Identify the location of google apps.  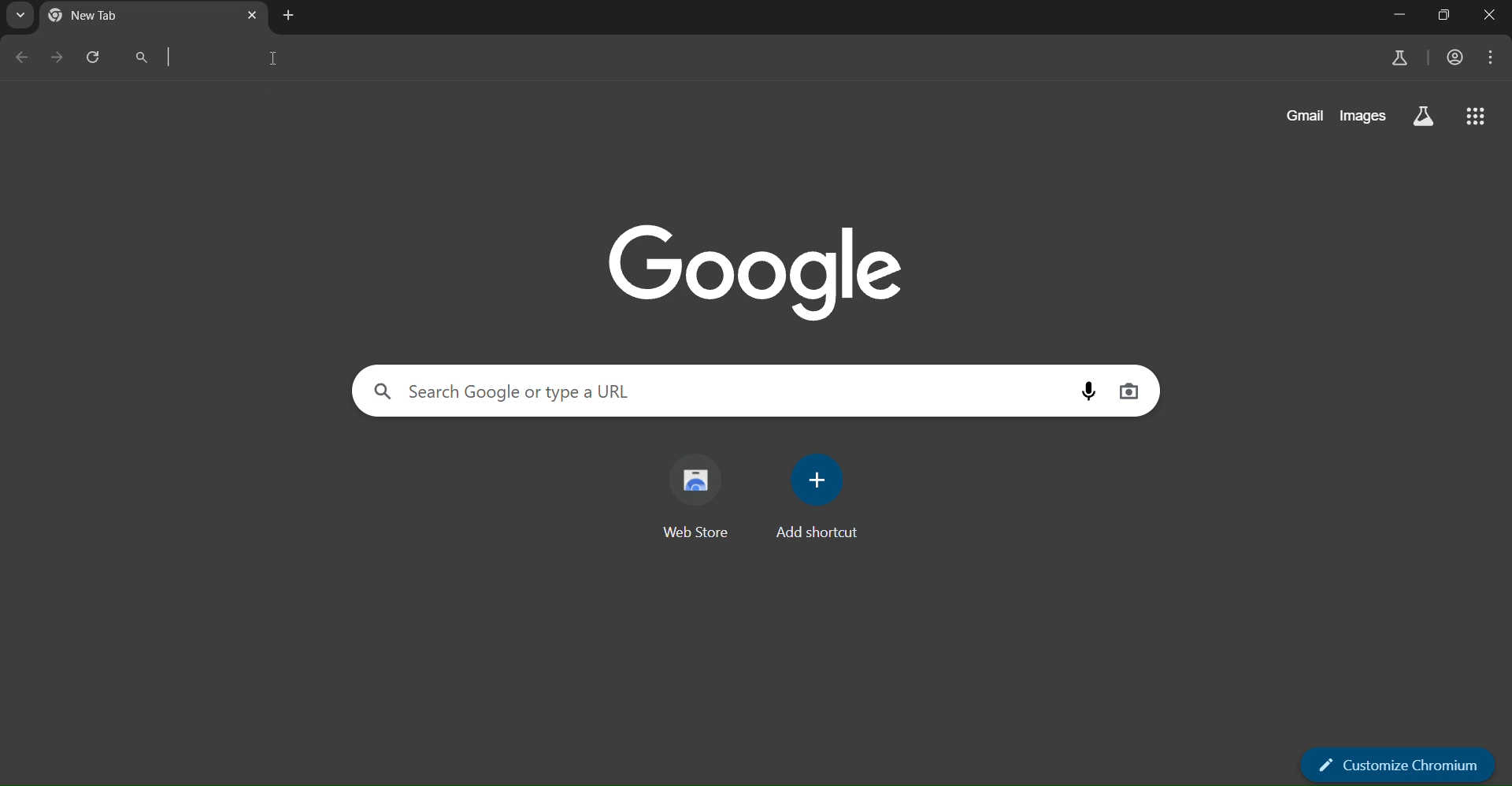
(1477, 117).